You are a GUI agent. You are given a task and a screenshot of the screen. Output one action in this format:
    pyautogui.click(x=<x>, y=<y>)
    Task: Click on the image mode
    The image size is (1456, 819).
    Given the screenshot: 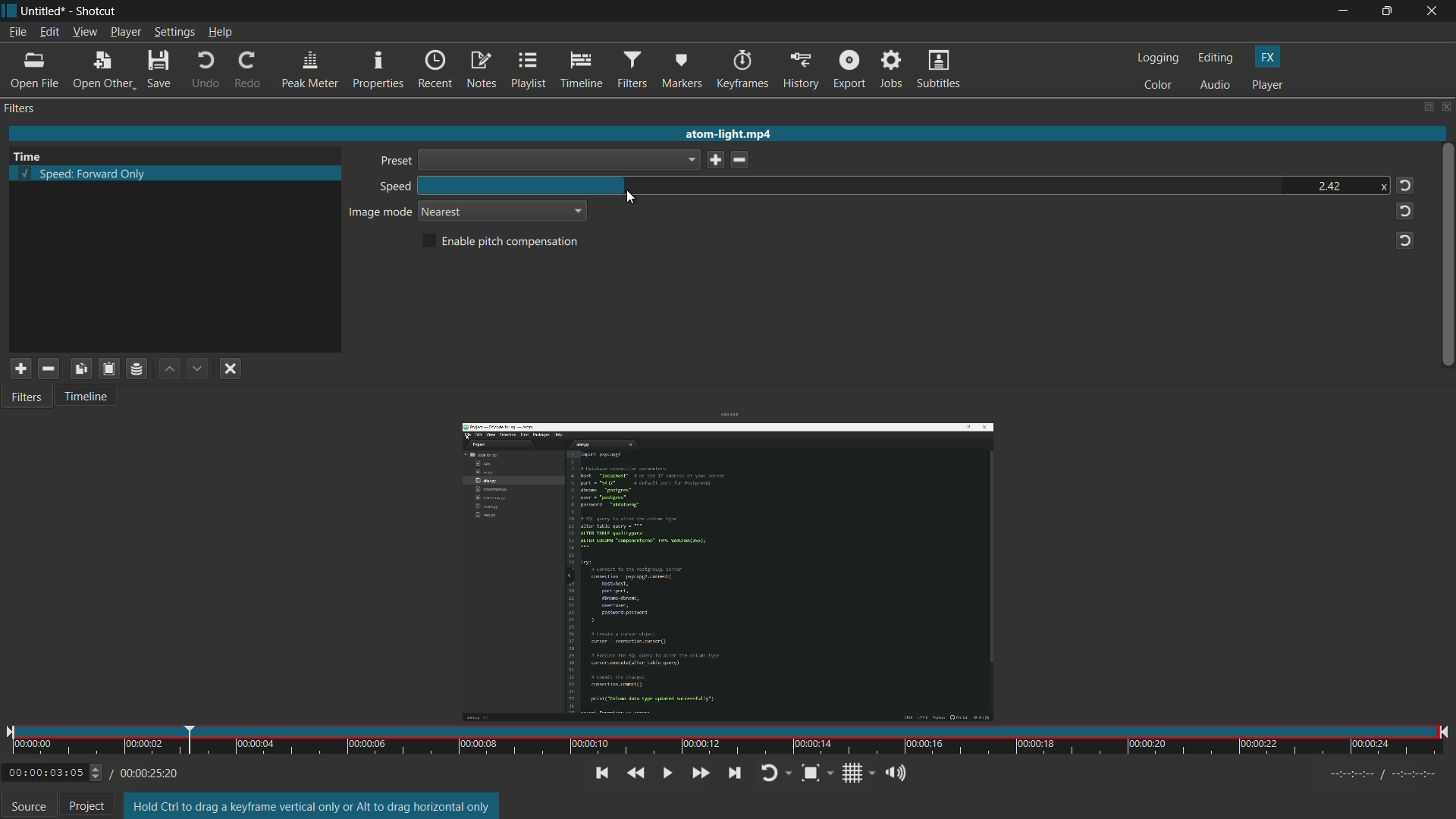 What is the action you would take?
    pyautogui.click(x=380, y=213)
    